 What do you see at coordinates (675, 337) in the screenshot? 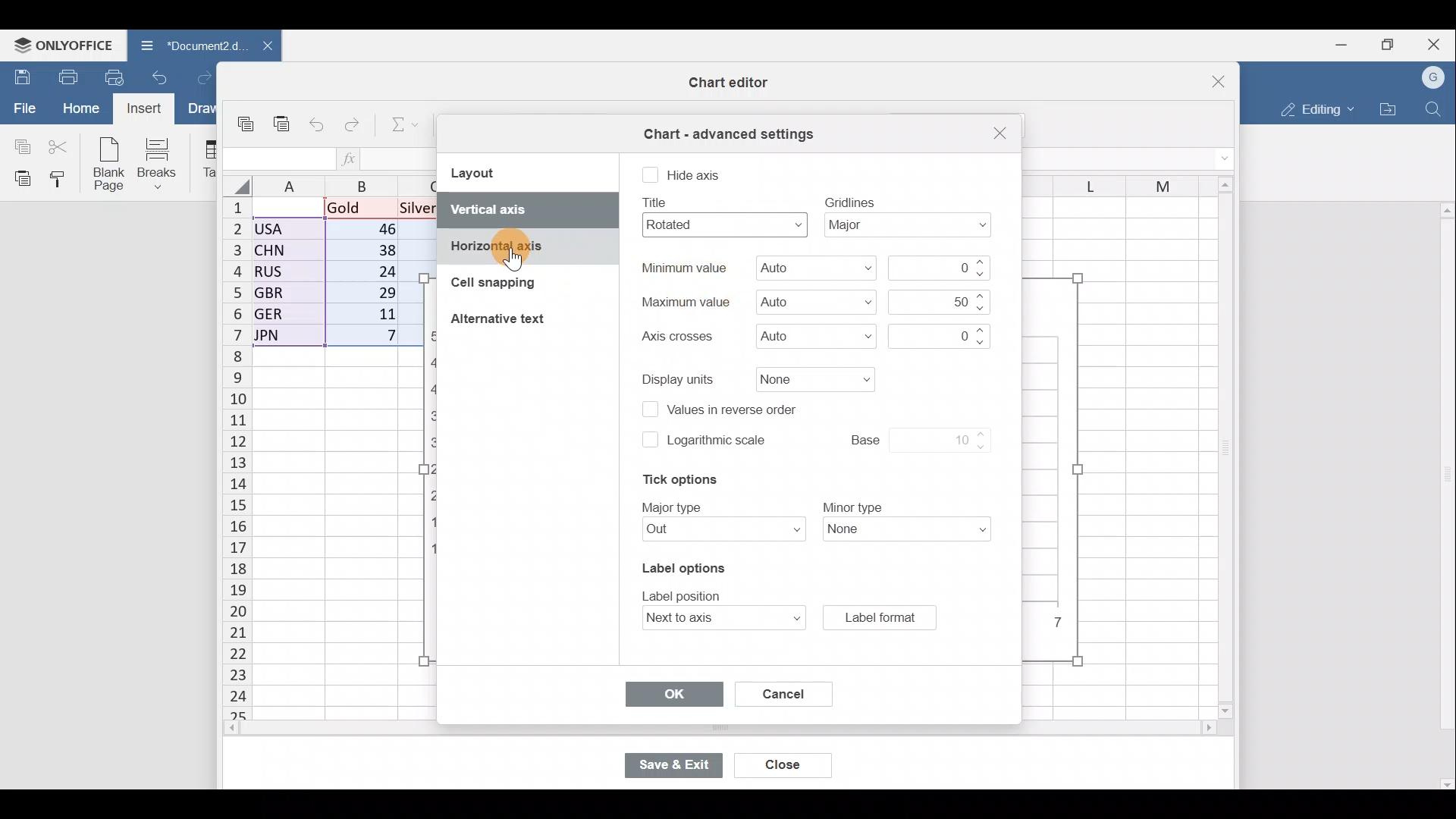
I see `text` at bounding box center [675, 337].